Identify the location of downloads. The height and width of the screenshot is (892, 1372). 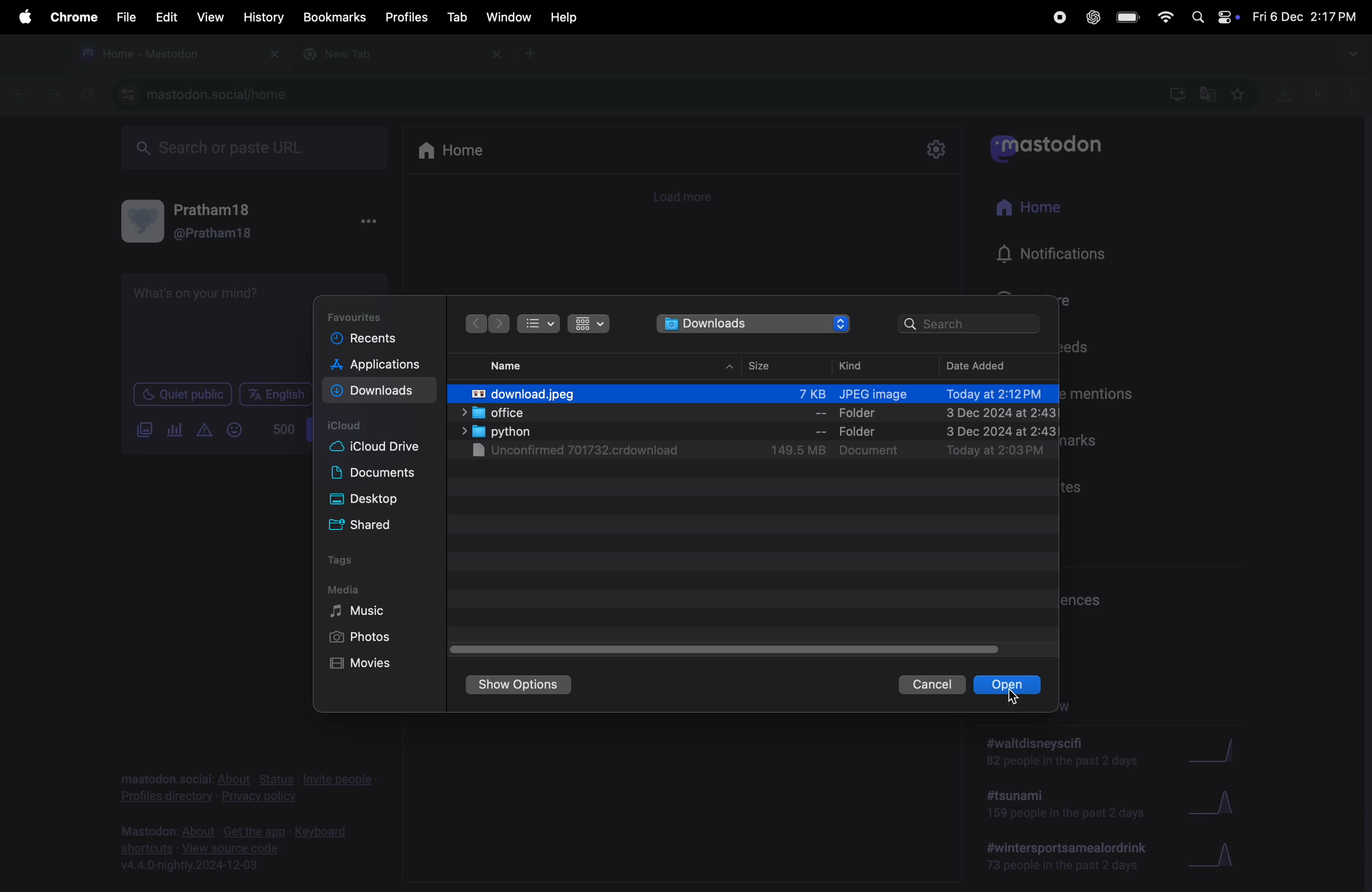
(1284, 92).